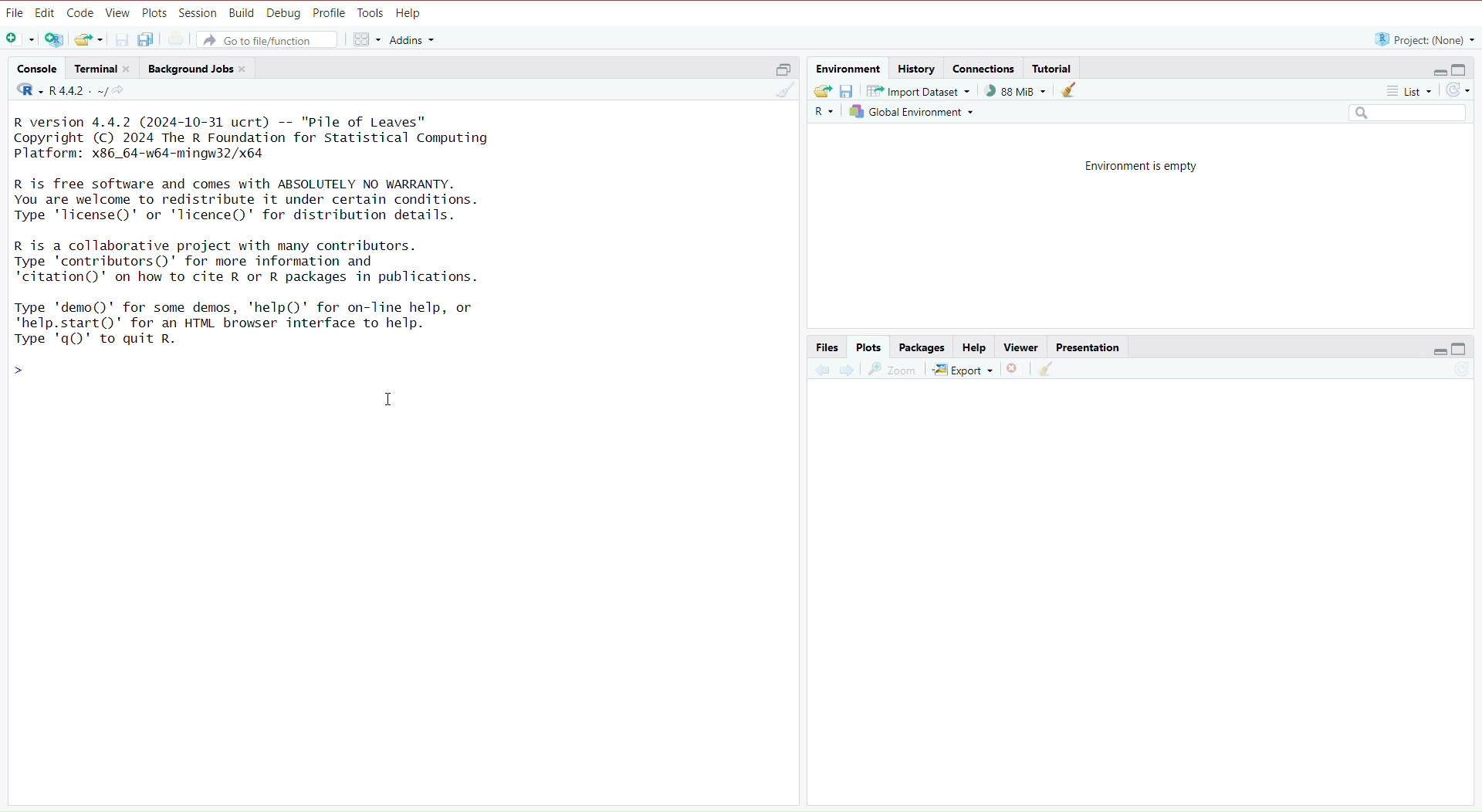  What do you see at coordinates (118, 14) in the screenshot?
I see `view` at bounding box center [118, 14].